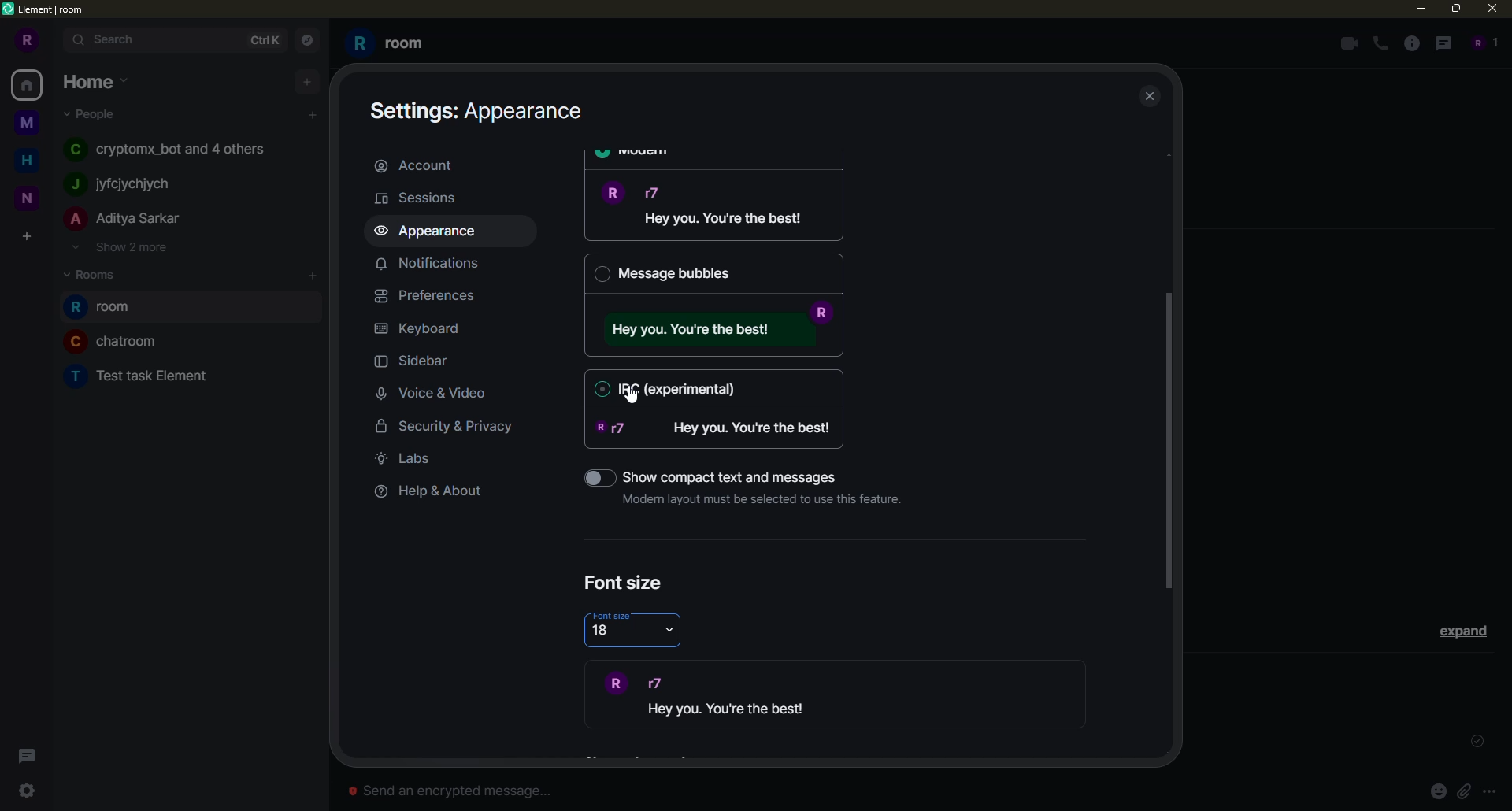 Image resolution: width=1512 pixels, height=811 pixels. I want to click on create space, so click(26, 238).